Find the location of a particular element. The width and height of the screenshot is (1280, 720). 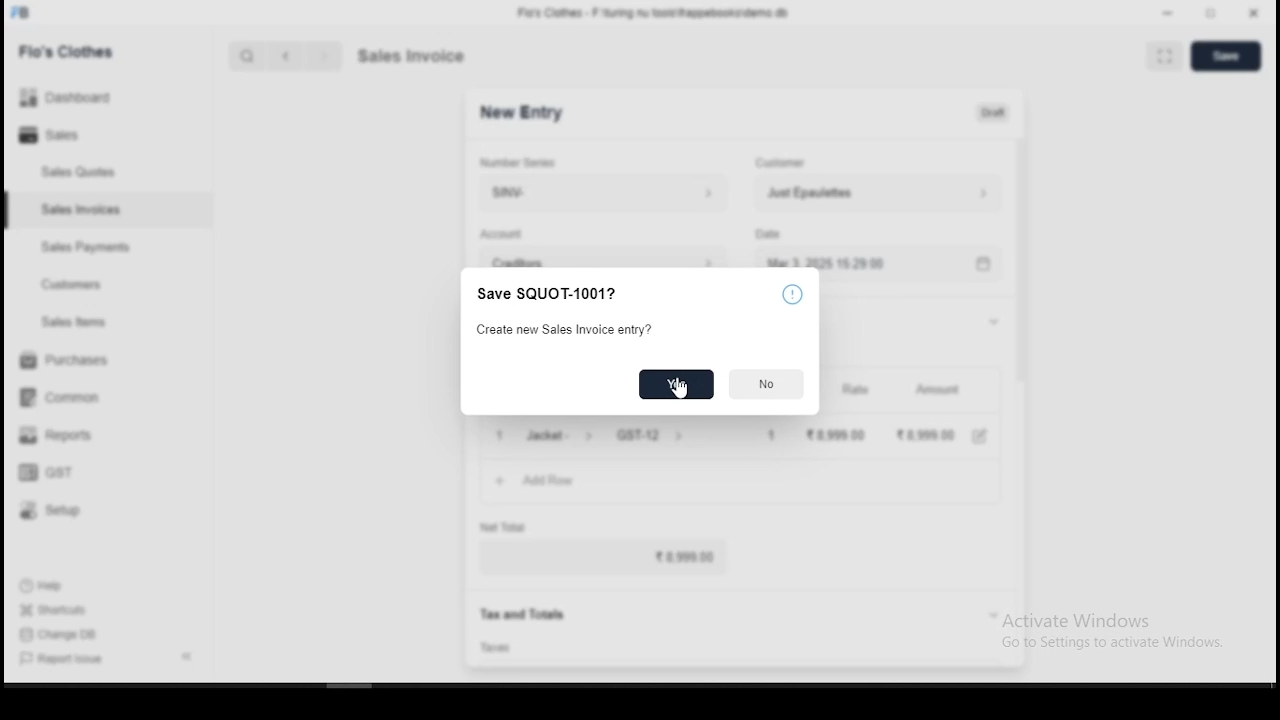

8,999.00 is located at coordinates (613, 557).